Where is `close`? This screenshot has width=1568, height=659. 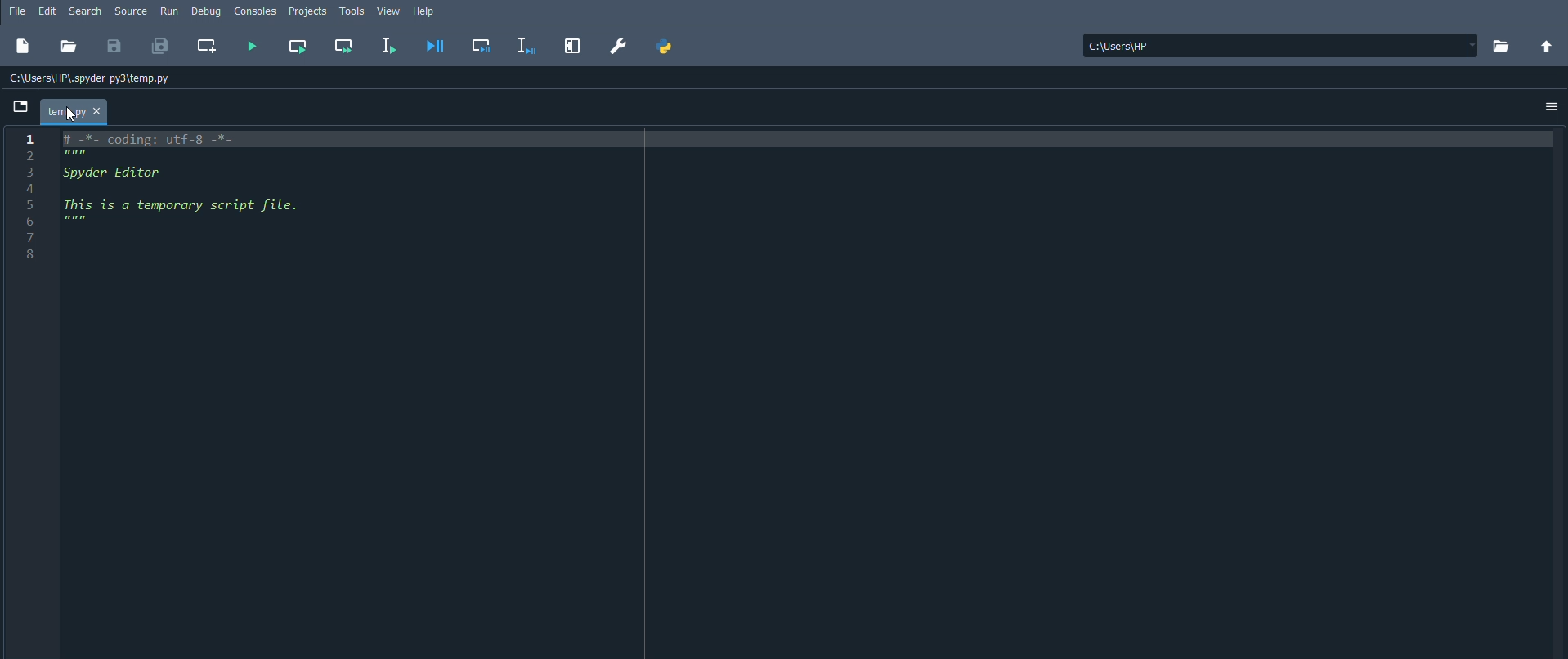
close is located at coordinates (96, 110).